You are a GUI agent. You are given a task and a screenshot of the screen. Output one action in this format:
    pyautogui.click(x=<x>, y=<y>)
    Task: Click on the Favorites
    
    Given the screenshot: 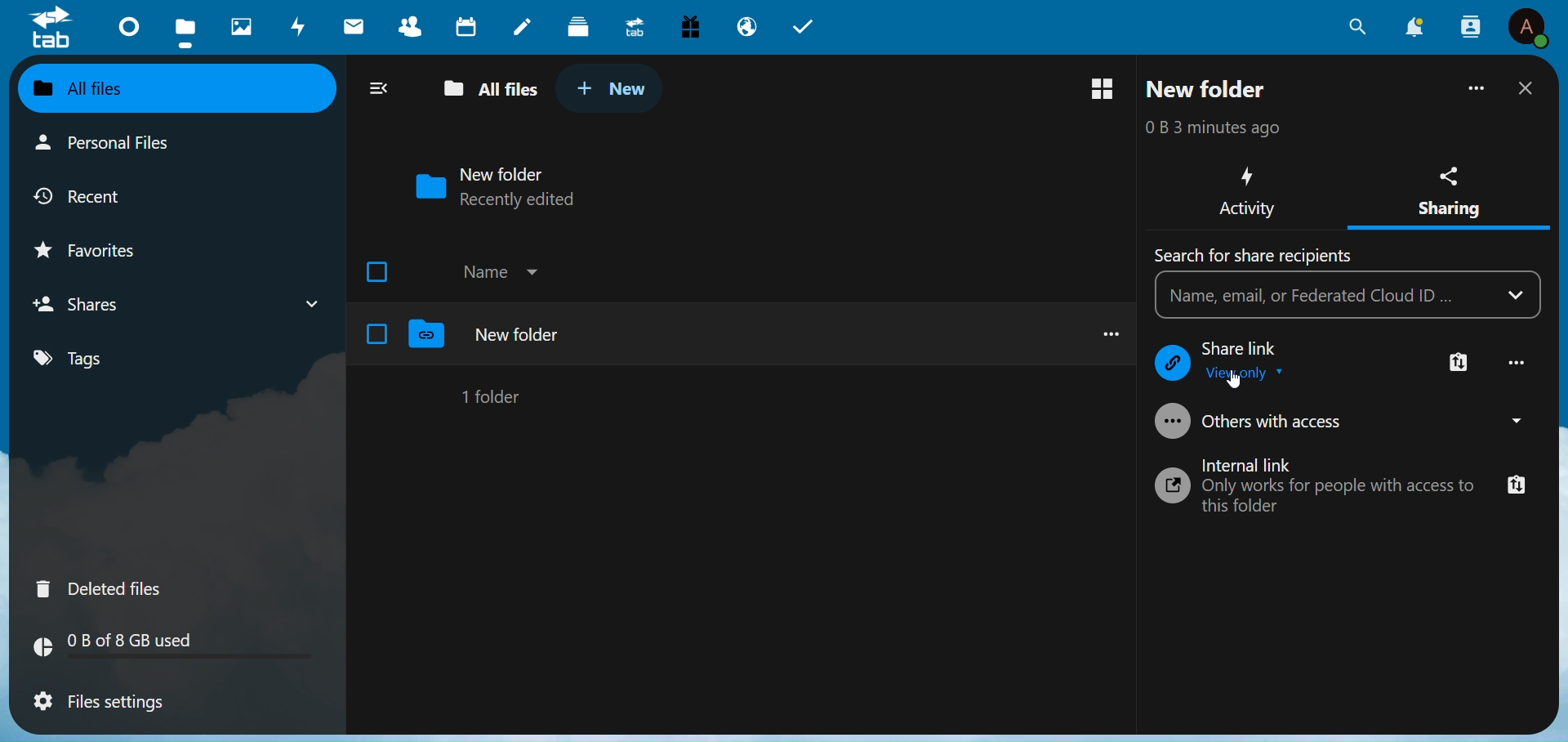 What is the action you would take?
    pyautogui.click(x=103, y=247)
    